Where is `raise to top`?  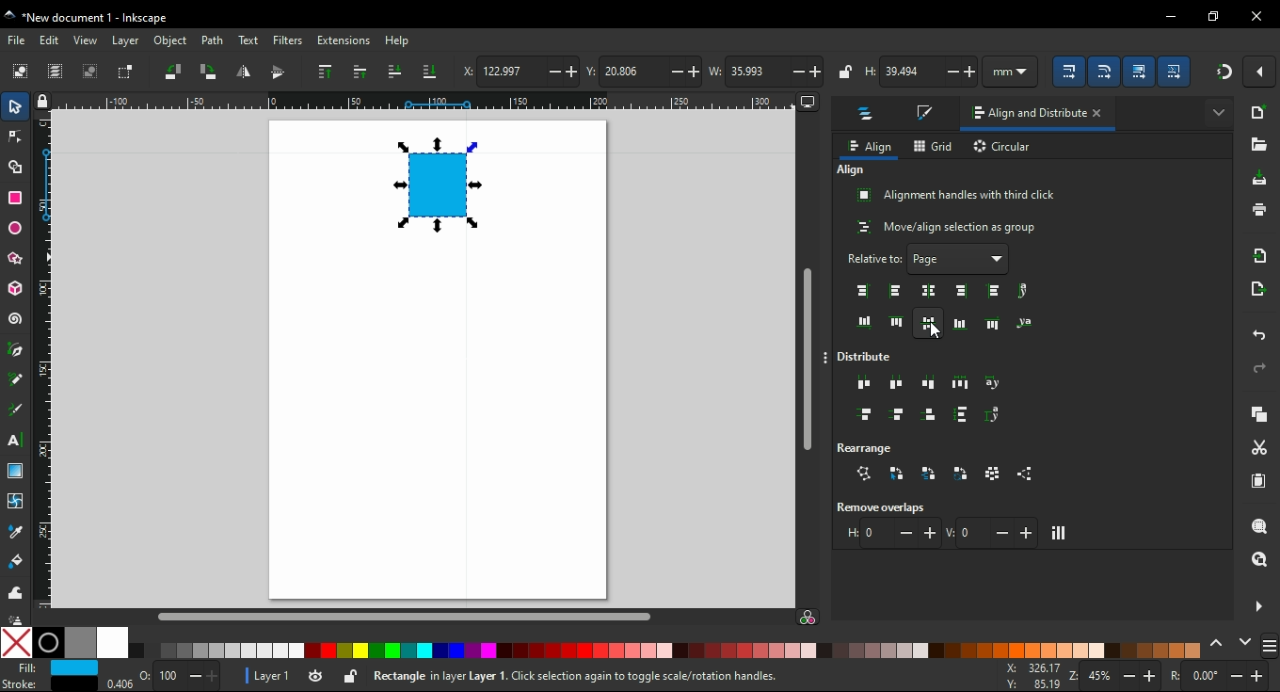 raise to top is located at coordinates (326, 71).